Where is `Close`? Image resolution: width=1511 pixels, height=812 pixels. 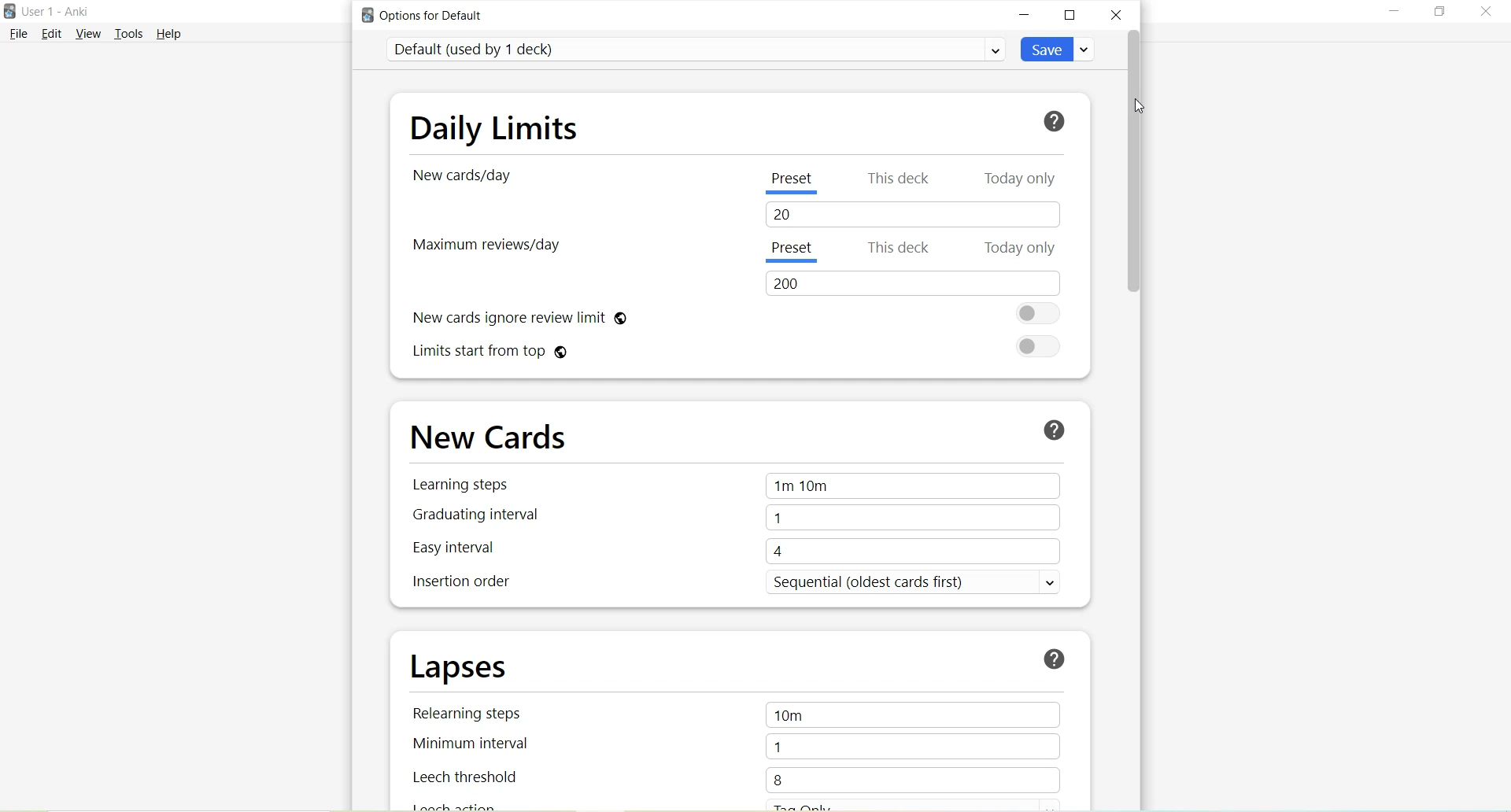 Close is located at coordinates (1116, 14).